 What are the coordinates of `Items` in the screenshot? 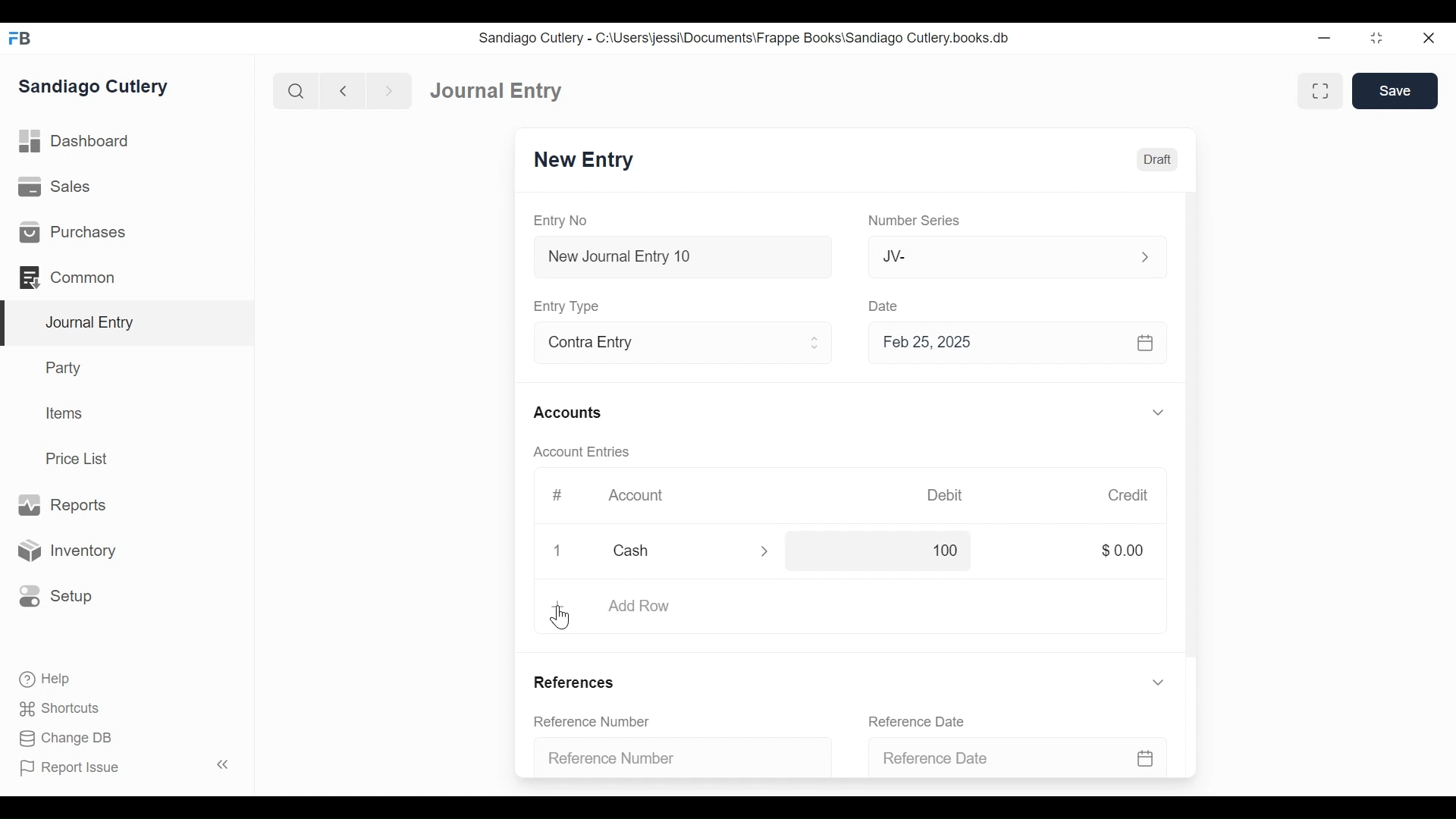 It's located at (66, 415).